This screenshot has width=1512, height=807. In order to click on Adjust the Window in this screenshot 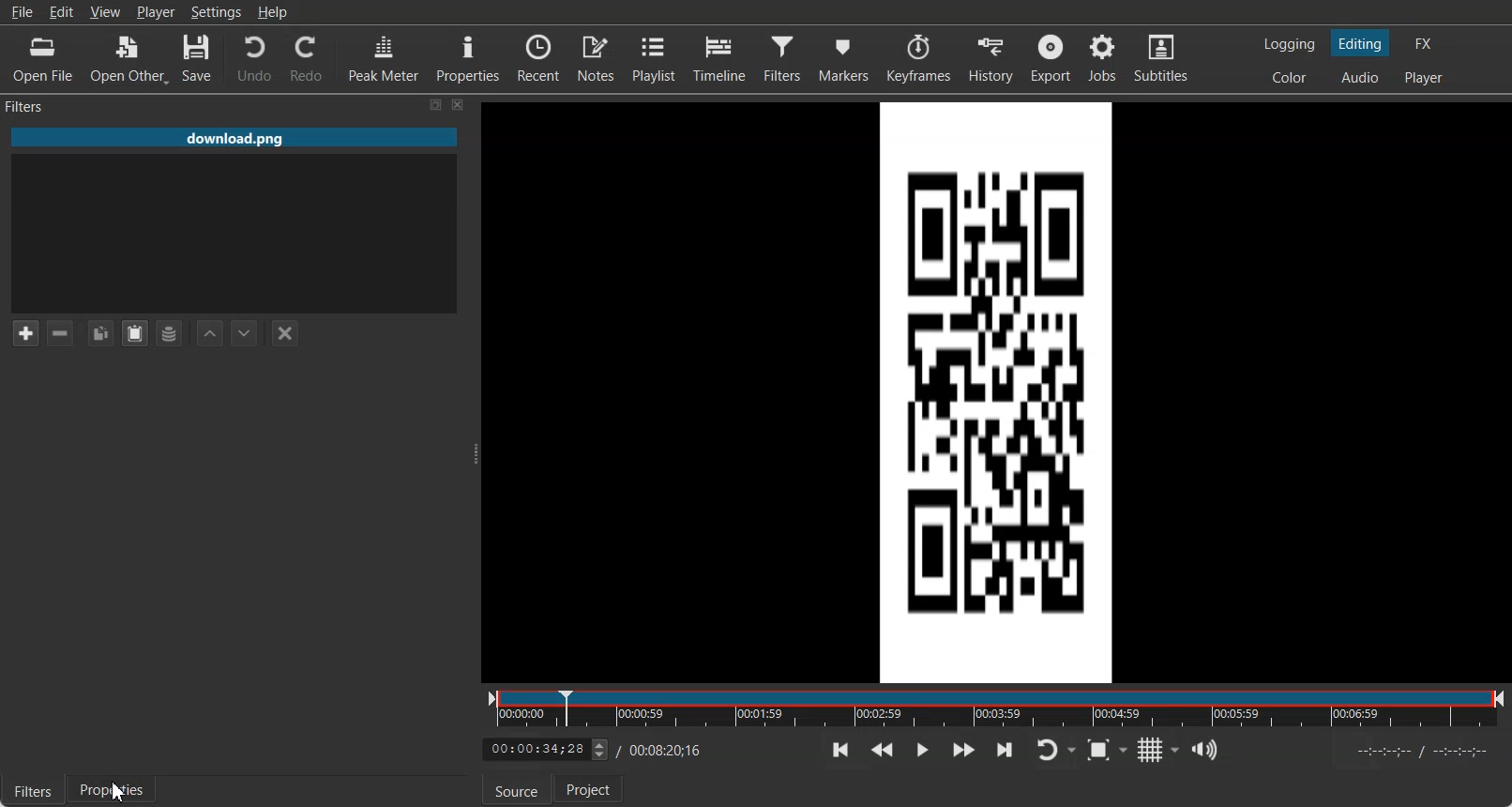, I will do `click(475, 452)`.